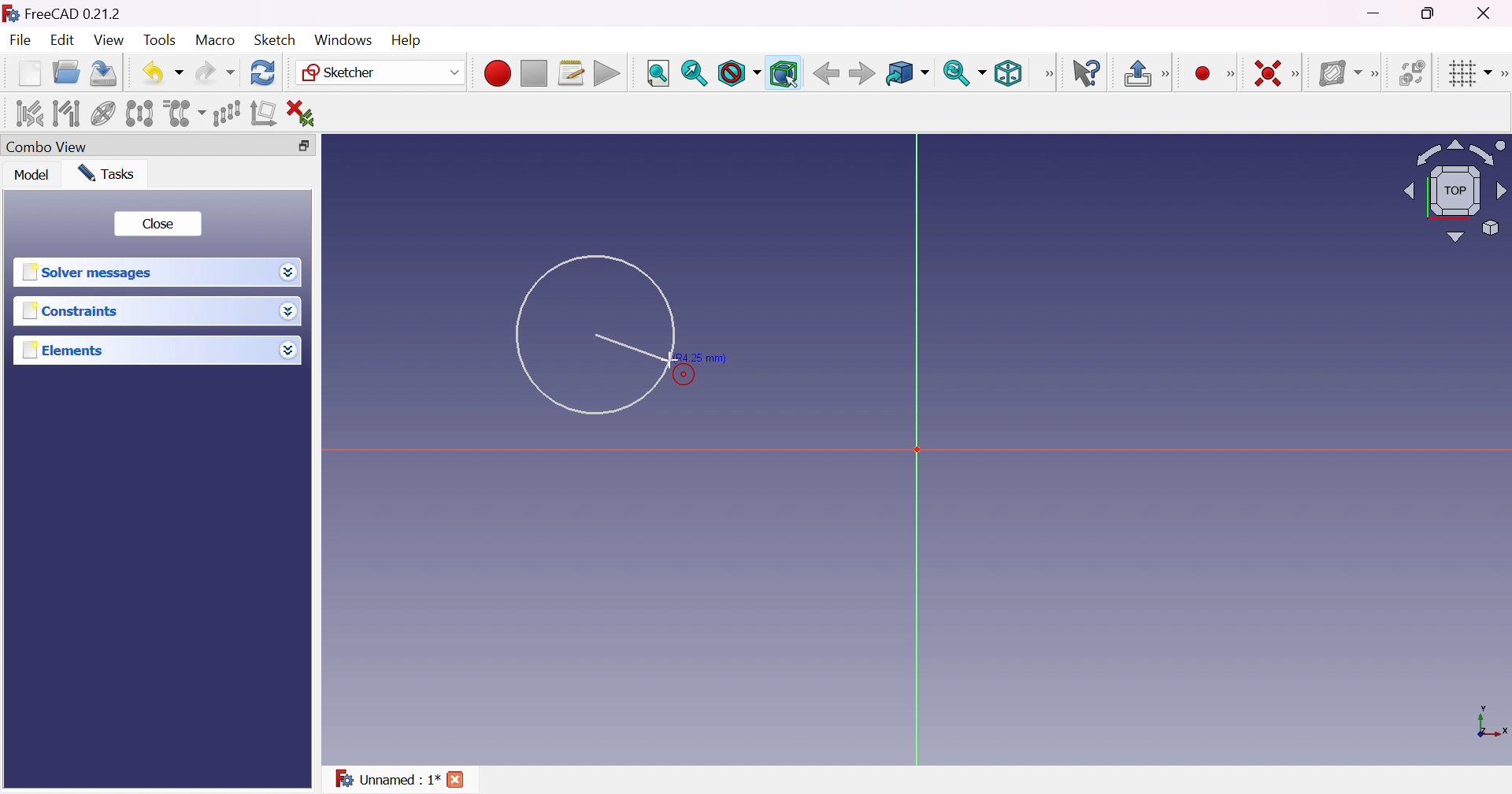  Describe the element at coordinates (61, 42) in the screenshot. I see `Edit` at that location.